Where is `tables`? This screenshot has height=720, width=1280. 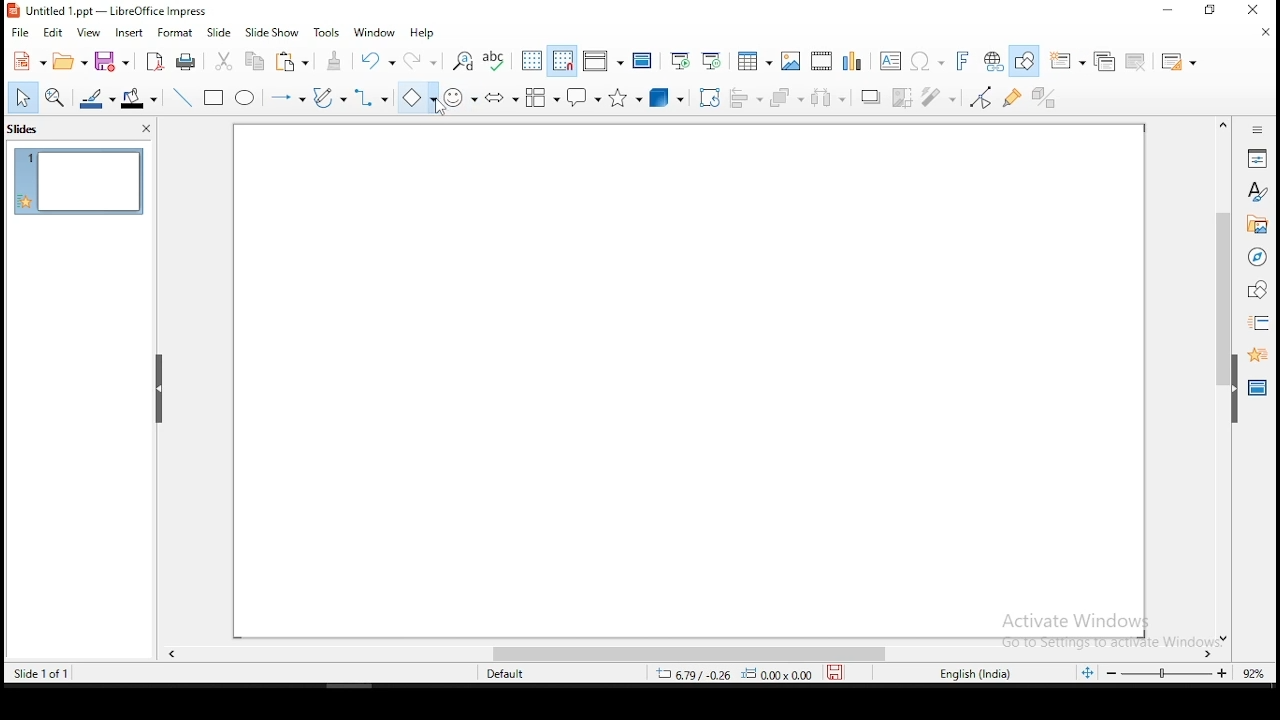 tables is located at coordinates (755, 61).